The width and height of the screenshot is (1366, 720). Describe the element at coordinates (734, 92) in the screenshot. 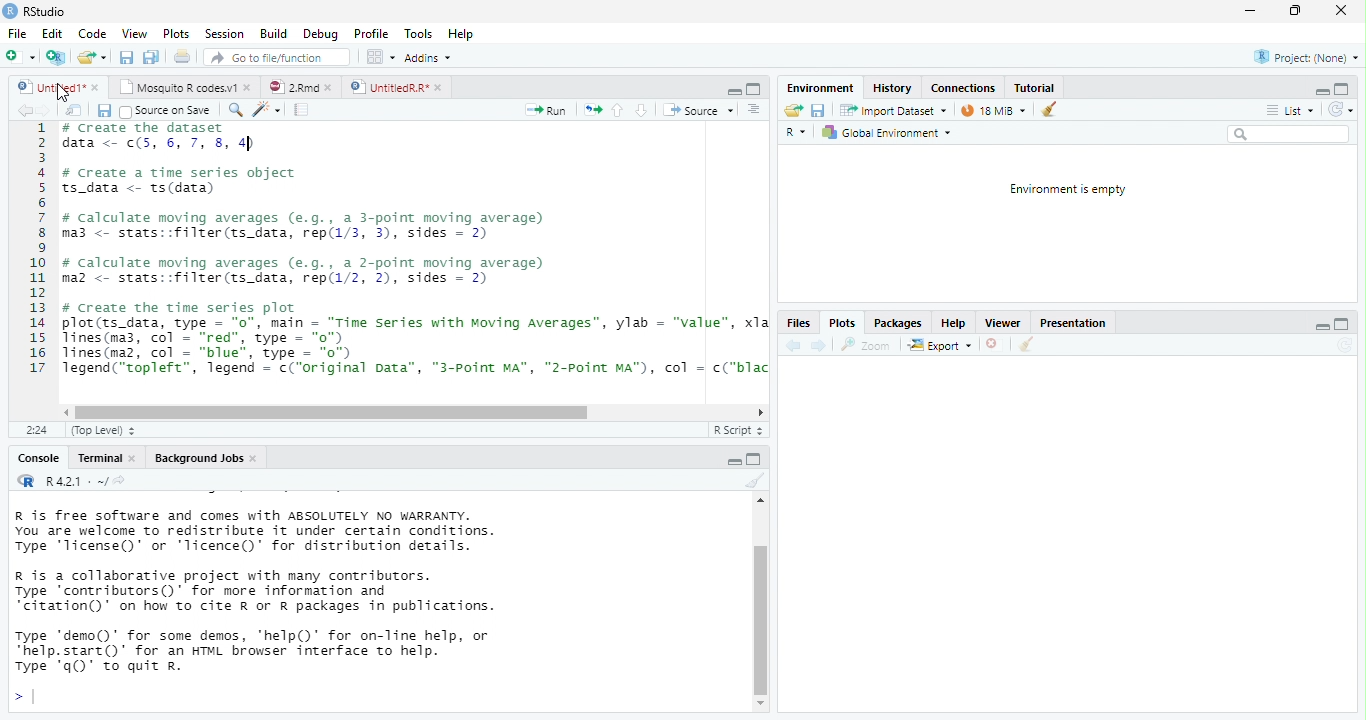

I see `minimize` at that location.